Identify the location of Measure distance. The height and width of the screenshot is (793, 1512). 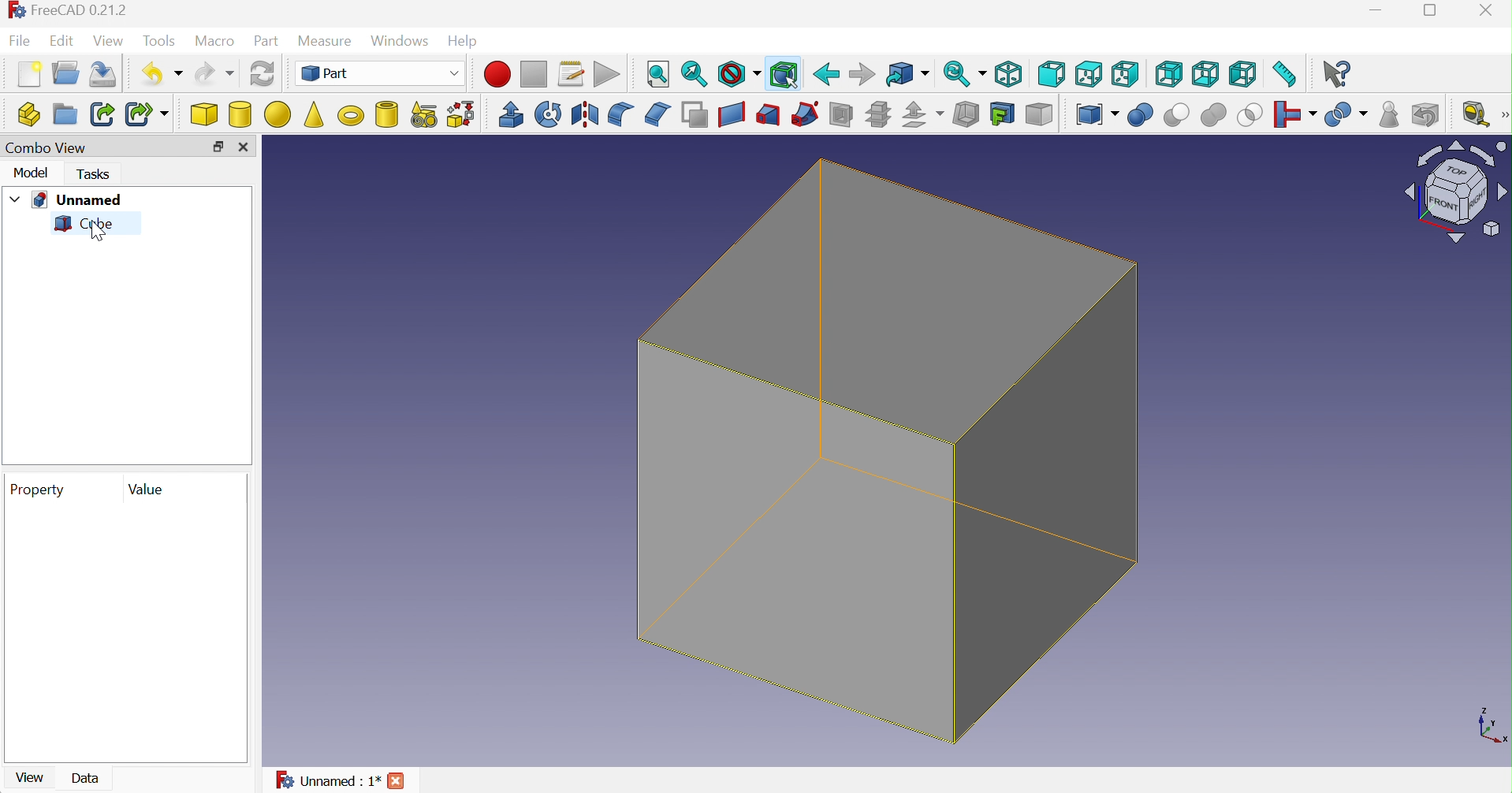
(1284, 76).